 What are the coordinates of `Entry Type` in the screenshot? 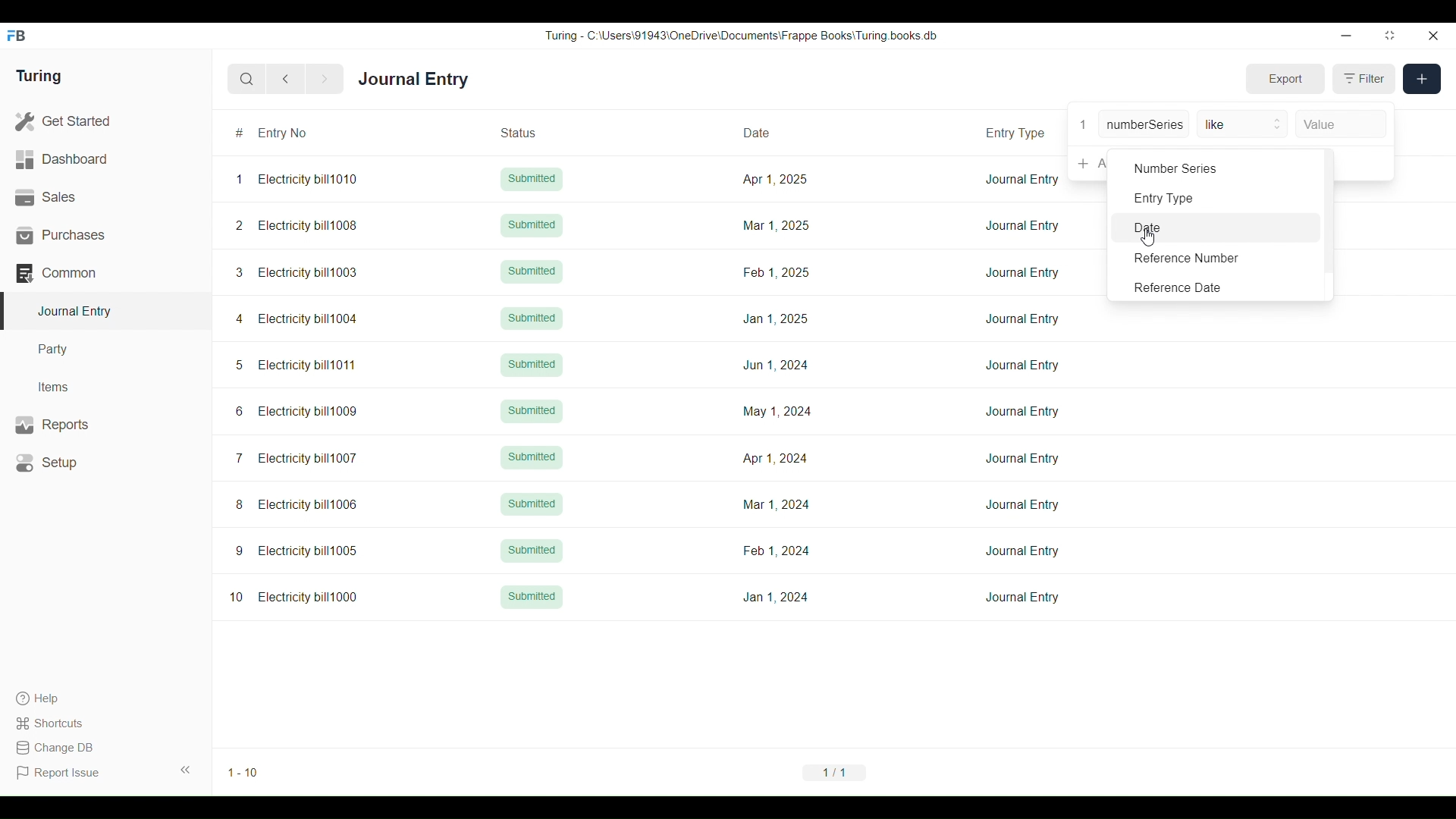 It's located at (1018, 131).